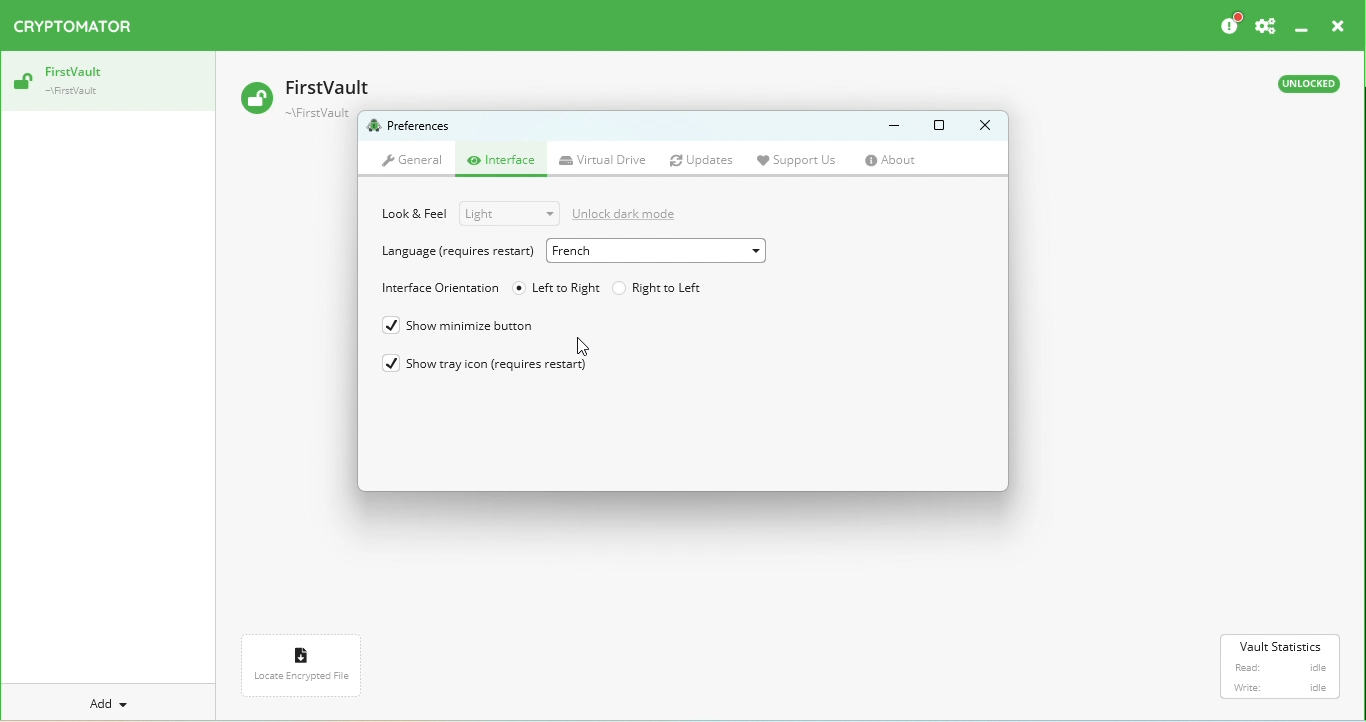 The image size is (1366, 722). I want to click on Vault, so click(105, 82).